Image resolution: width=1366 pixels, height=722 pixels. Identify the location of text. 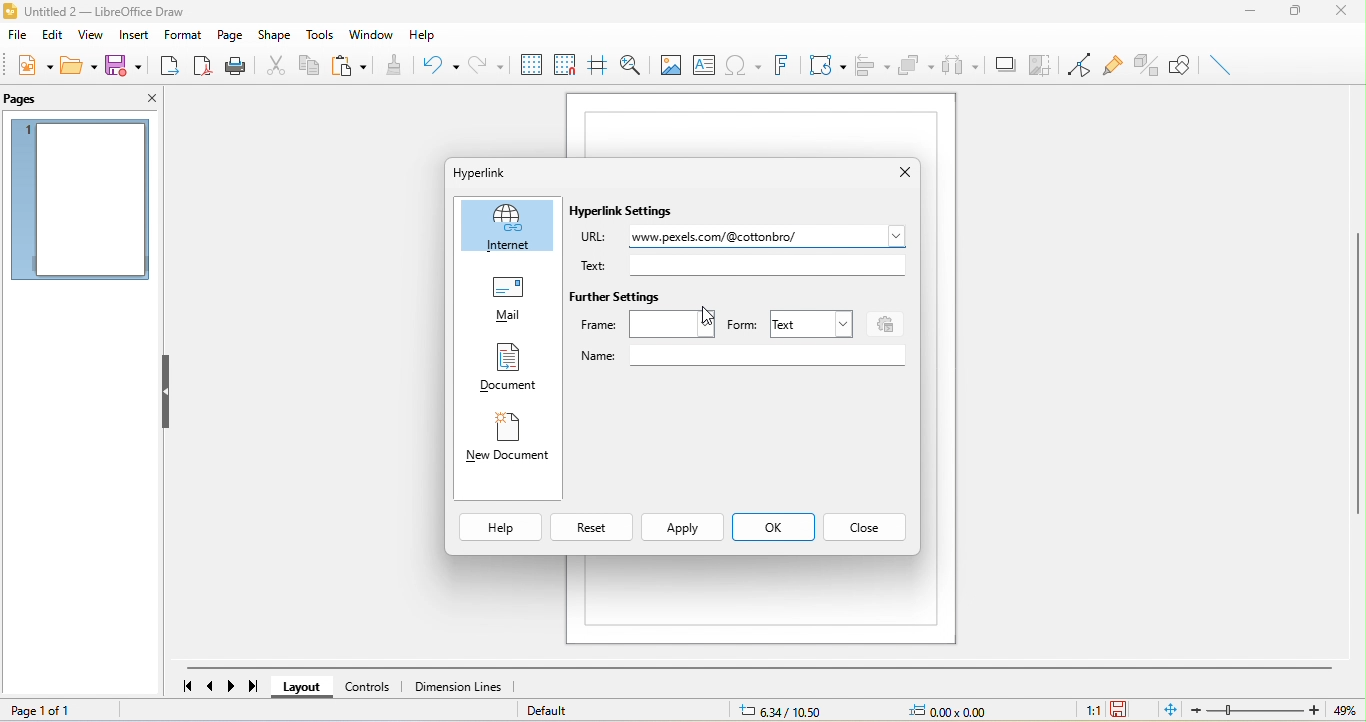
(600, 265).